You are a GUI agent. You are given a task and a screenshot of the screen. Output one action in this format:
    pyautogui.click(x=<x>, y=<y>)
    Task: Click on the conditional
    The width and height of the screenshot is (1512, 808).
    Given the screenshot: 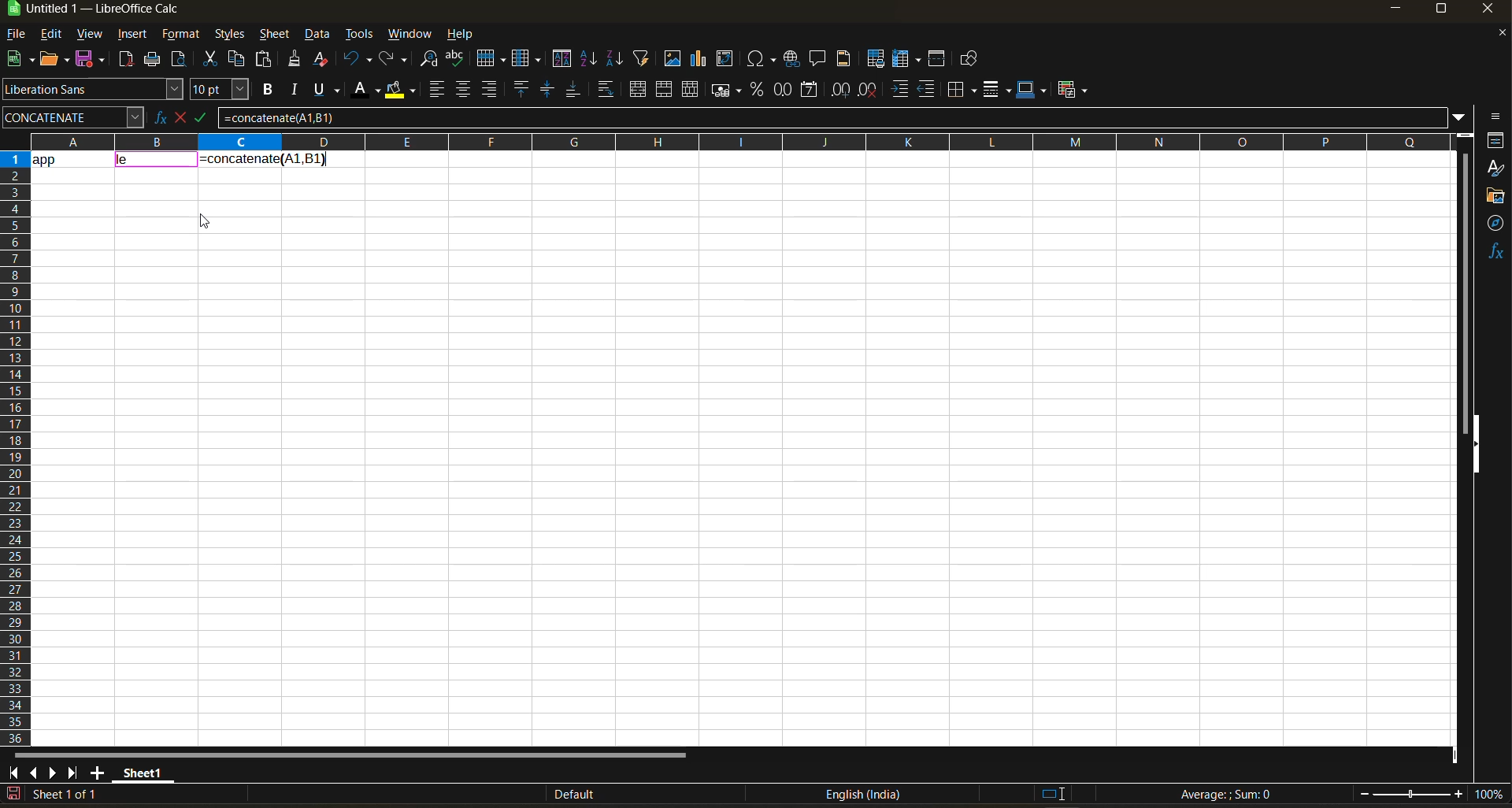 What is the action you would take?
    pyautogui.click(x=1075, y=89)
    